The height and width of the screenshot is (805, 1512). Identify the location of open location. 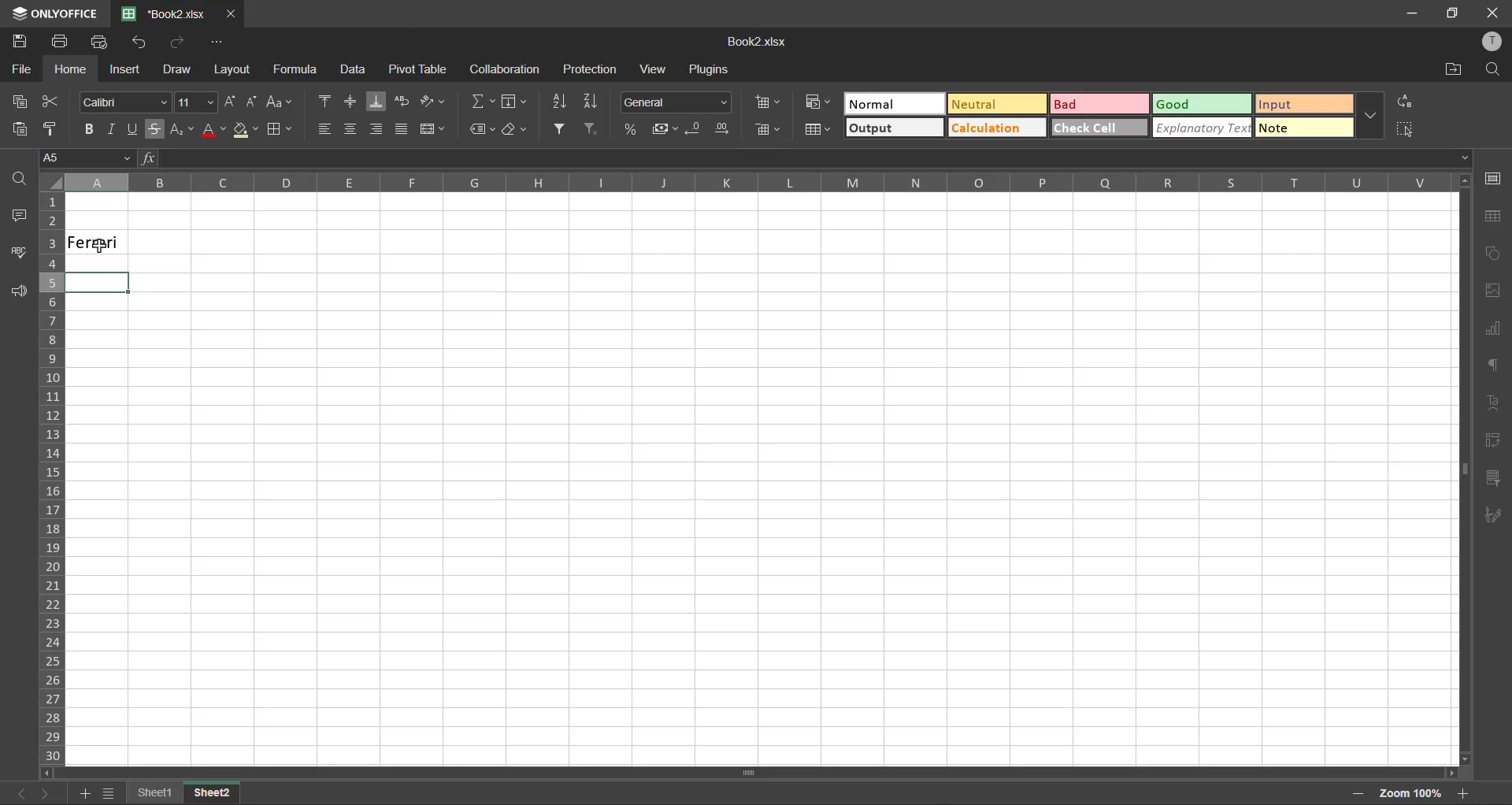
(1455, 70).